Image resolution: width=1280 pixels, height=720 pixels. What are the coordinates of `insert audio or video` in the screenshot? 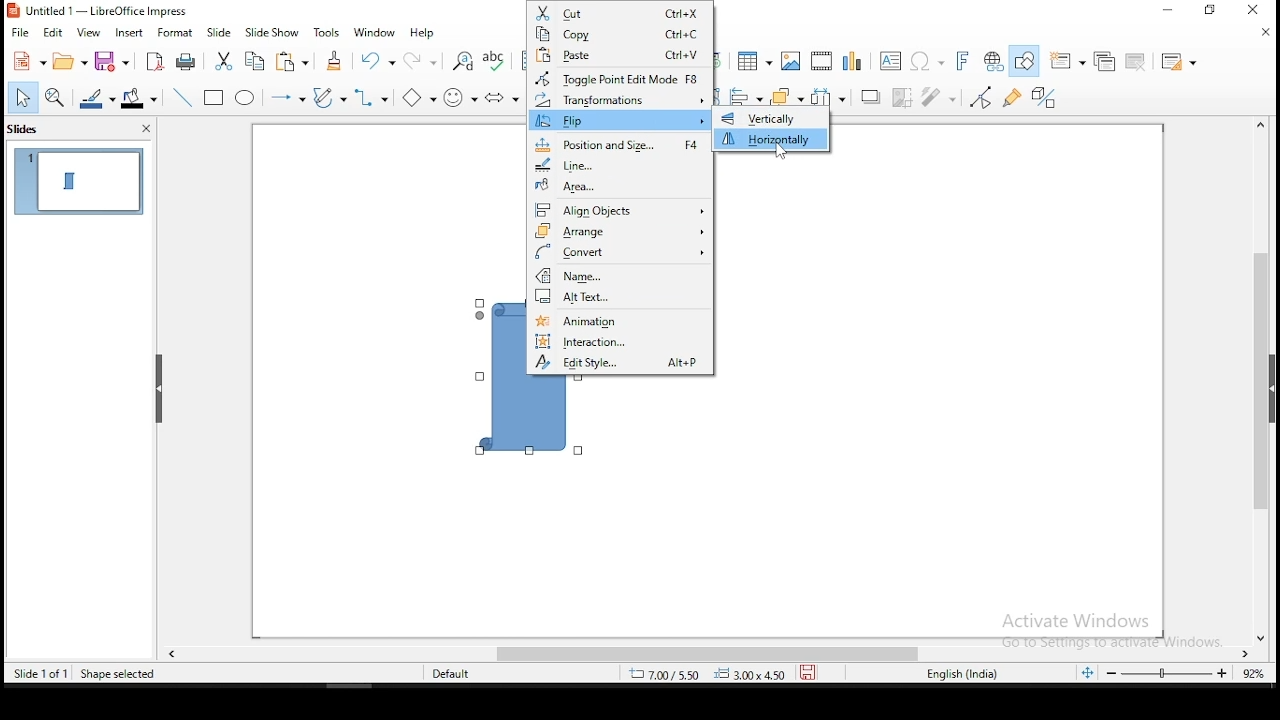 It's located at (823, 60).